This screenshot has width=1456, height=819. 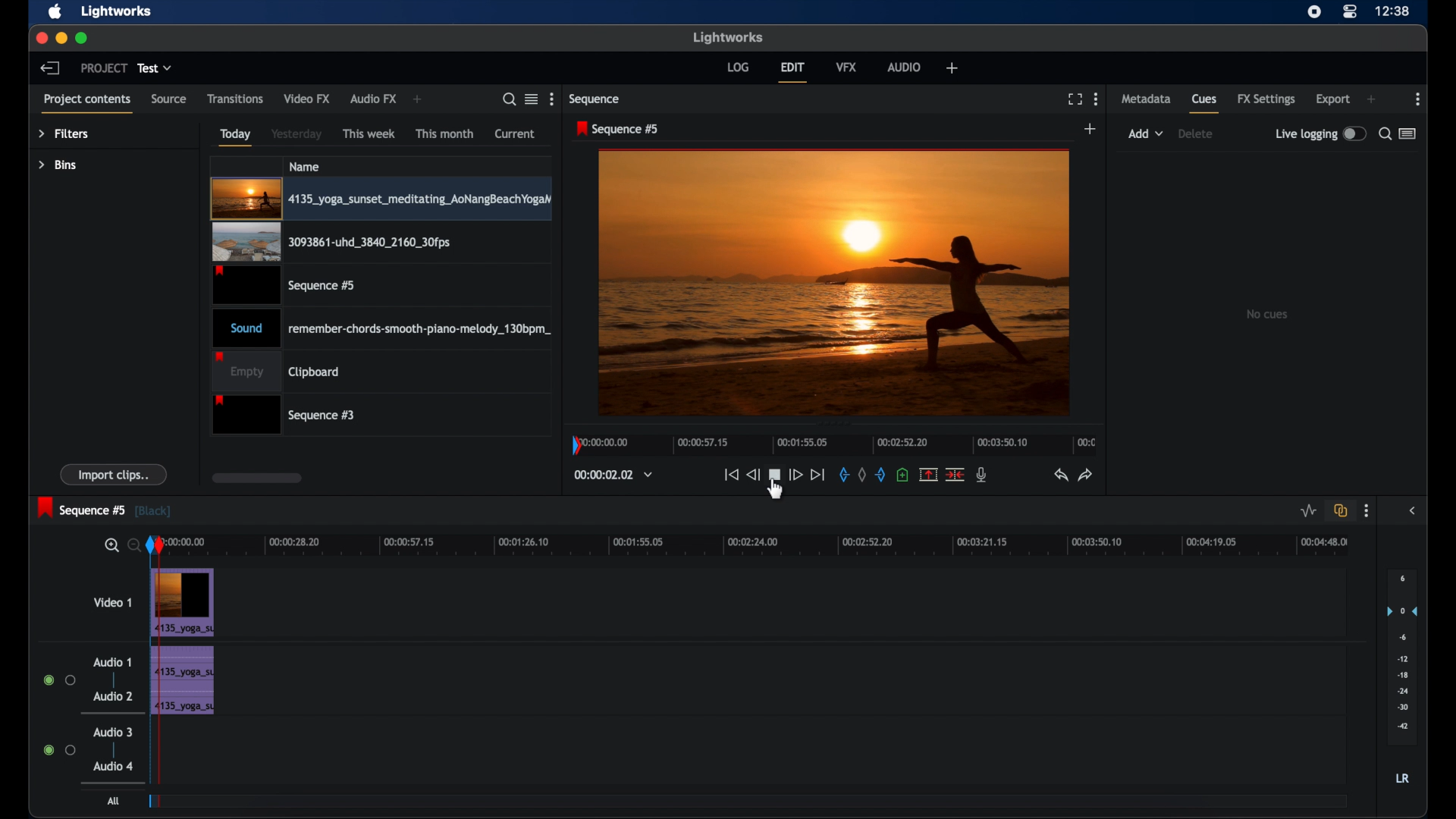 What do you see at coordinates (62, 38) in the screenshot?
I see `minimize` at bounding box center [62, 38].